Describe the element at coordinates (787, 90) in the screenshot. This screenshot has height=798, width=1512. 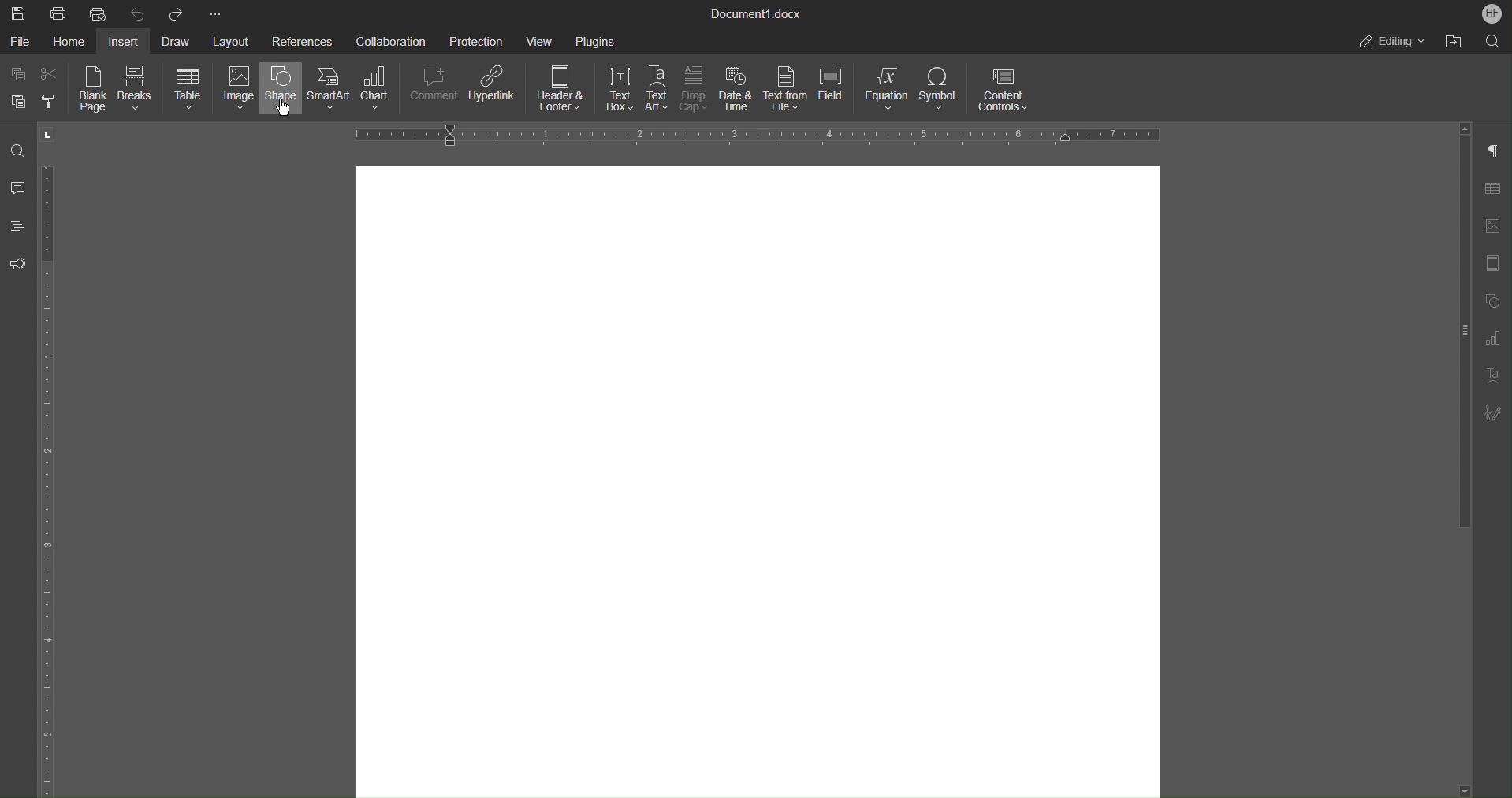
I see `Text from File` at that location.